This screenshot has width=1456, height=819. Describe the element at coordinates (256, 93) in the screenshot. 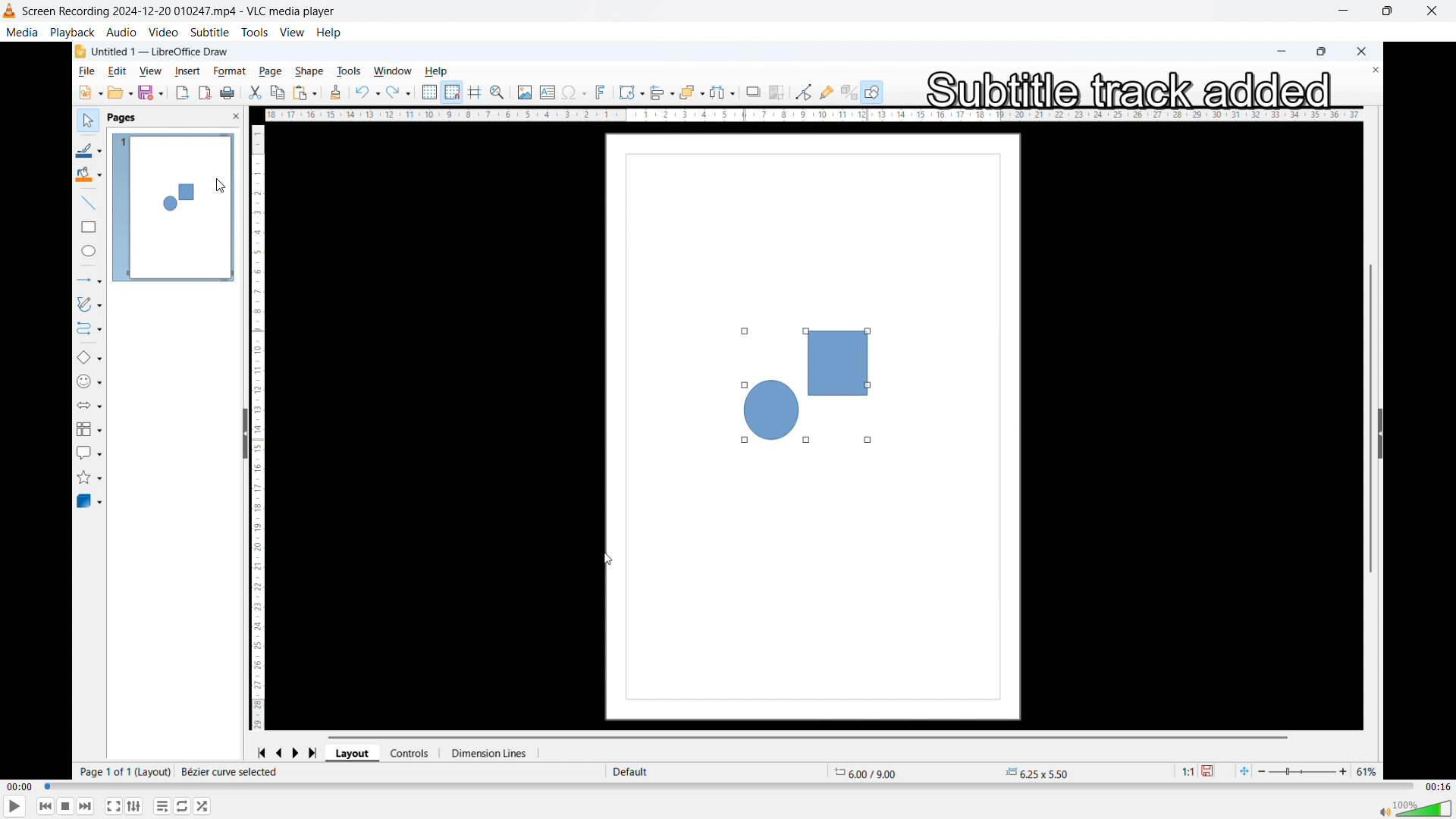

I see `cut` at that location.